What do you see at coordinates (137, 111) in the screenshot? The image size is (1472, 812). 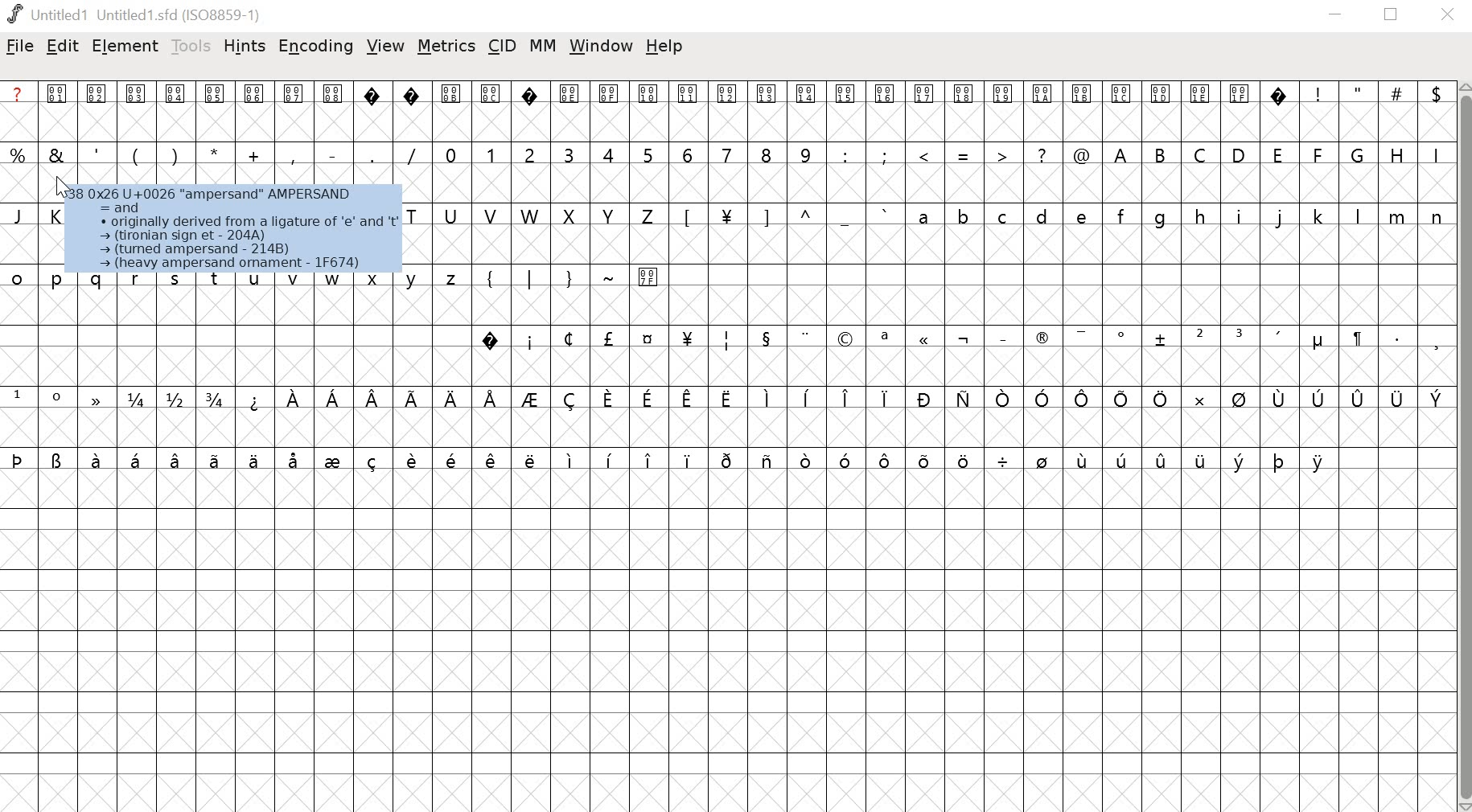 I see `0003` at bounding box center [137, 111].